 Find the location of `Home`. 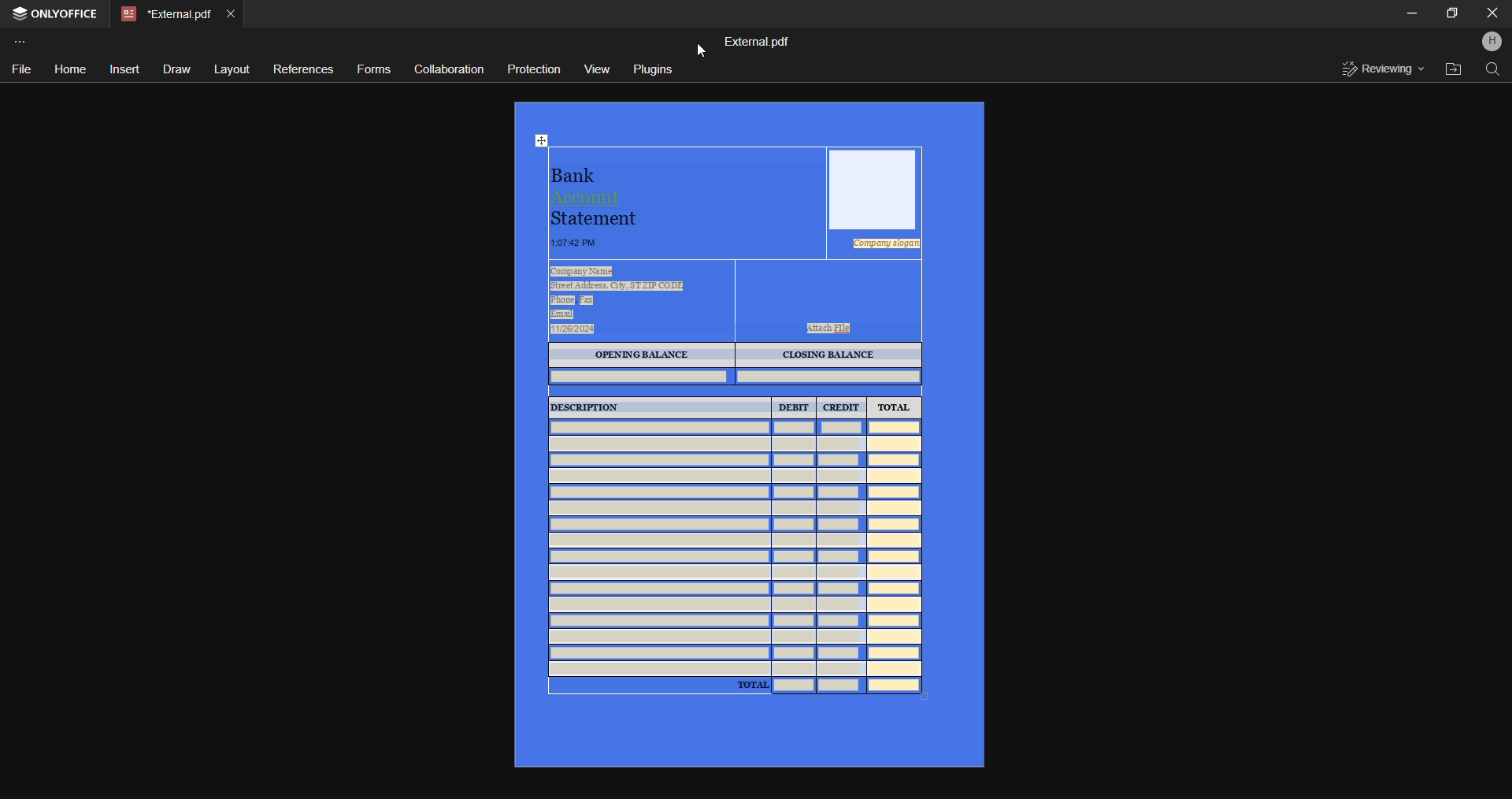

Home is located at coordinates (69, 68).